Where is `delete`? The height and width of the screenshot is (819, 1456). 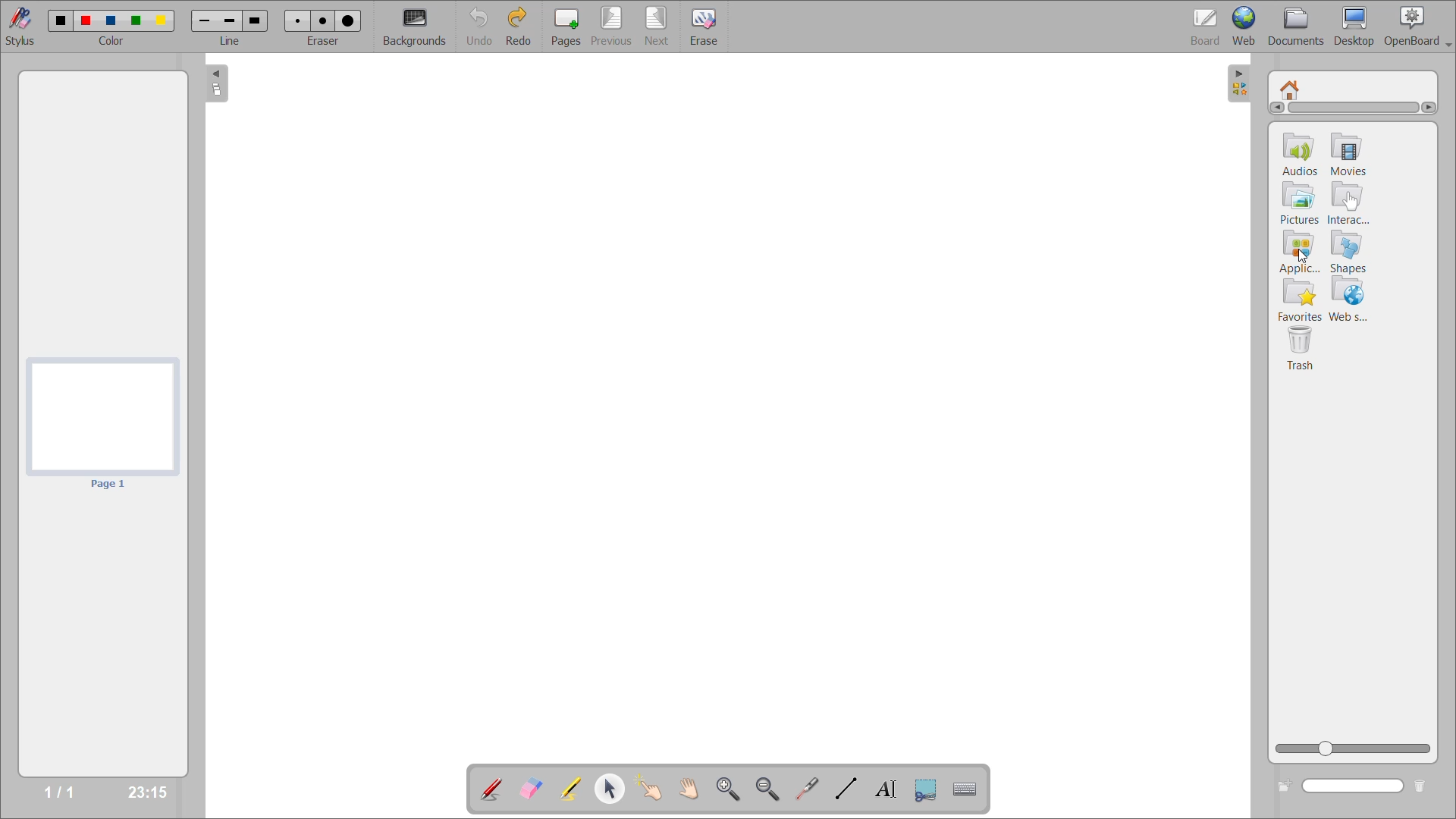 delete is located at coordinates (1420, 786).